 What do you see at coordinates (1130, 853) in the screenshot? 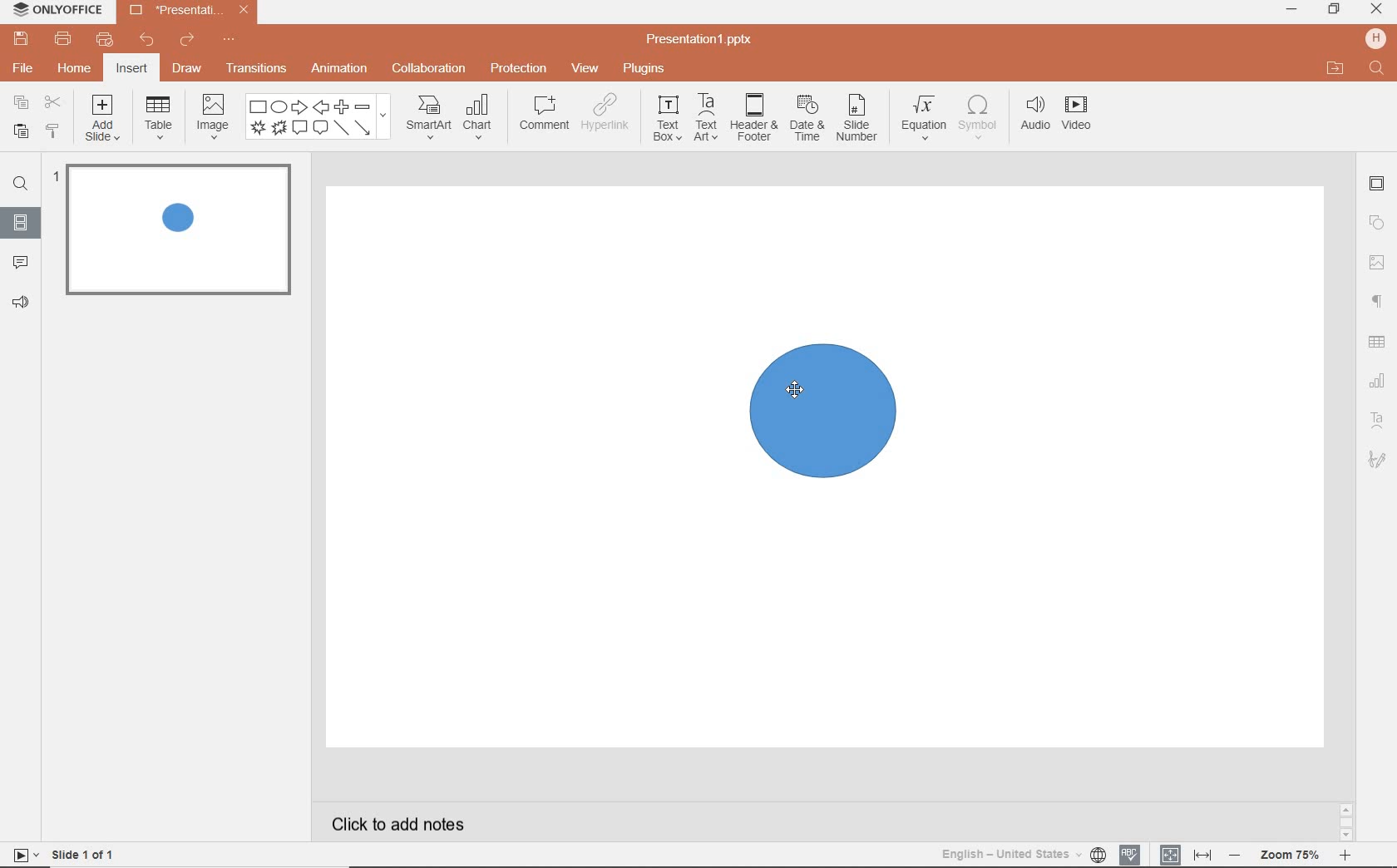
I see `spell checking` at bounding box center [1130, 853].